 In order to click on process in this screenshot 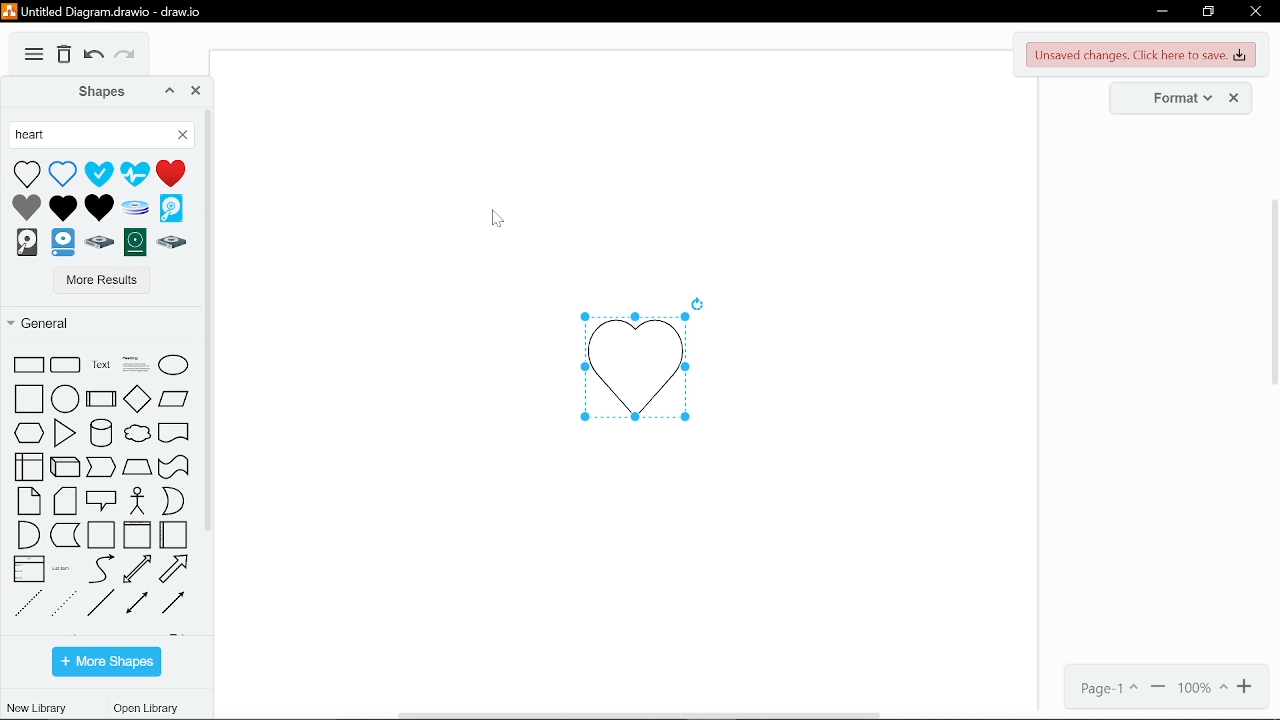, I will do `click(102, 399)`.